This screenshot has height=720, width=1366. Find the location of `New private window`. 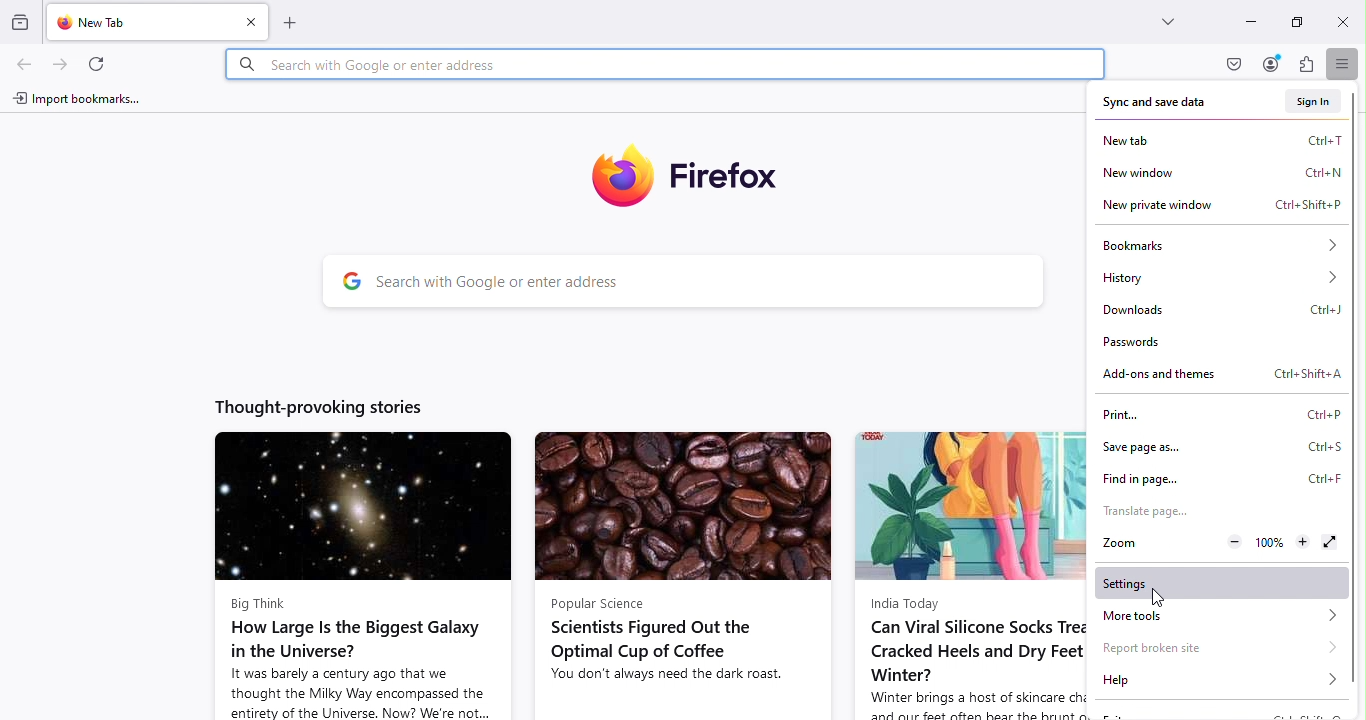

New private window is located at coordinates (1222, 205).